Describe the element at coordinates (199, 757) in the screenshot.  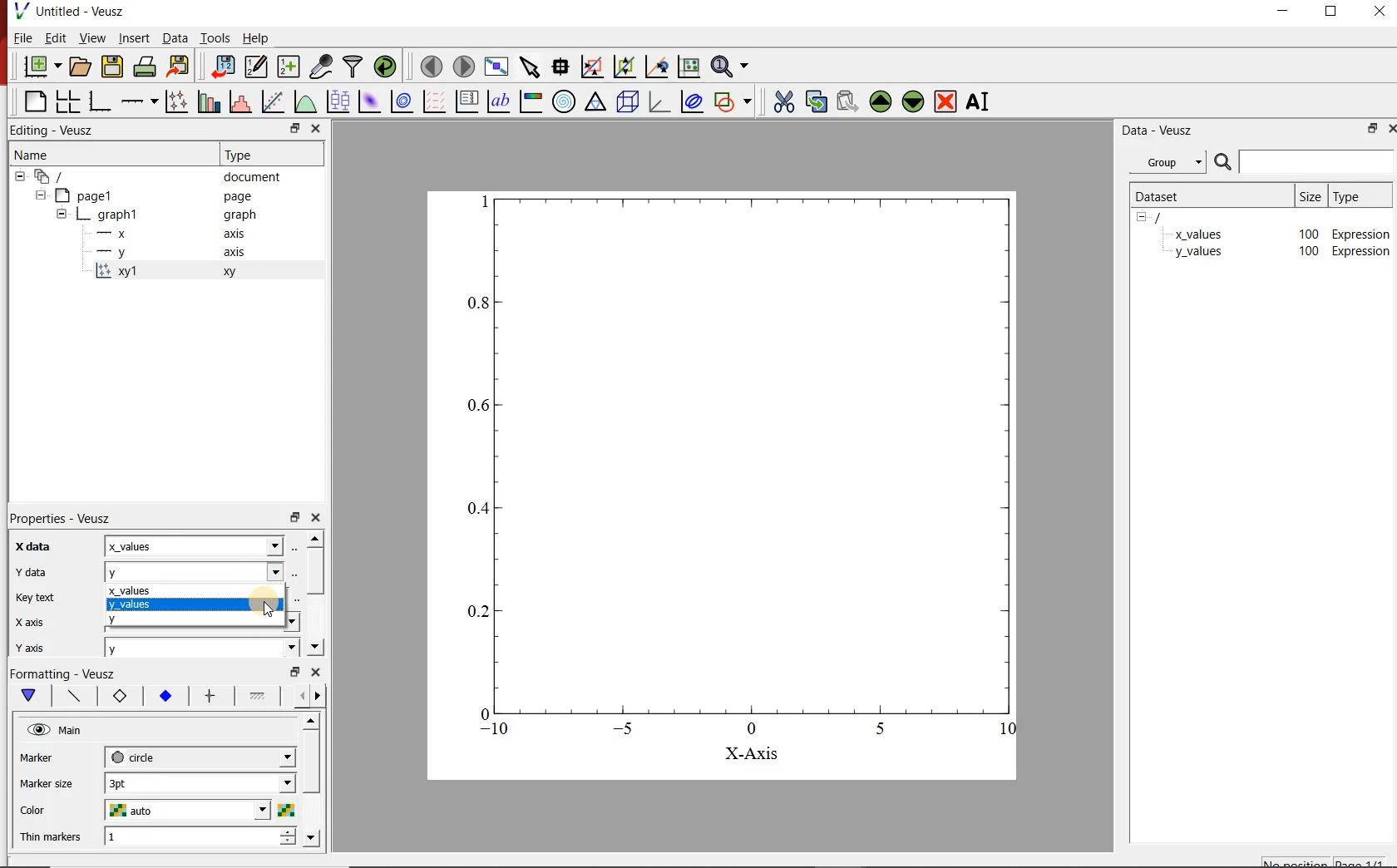
I see `circle` at that location.